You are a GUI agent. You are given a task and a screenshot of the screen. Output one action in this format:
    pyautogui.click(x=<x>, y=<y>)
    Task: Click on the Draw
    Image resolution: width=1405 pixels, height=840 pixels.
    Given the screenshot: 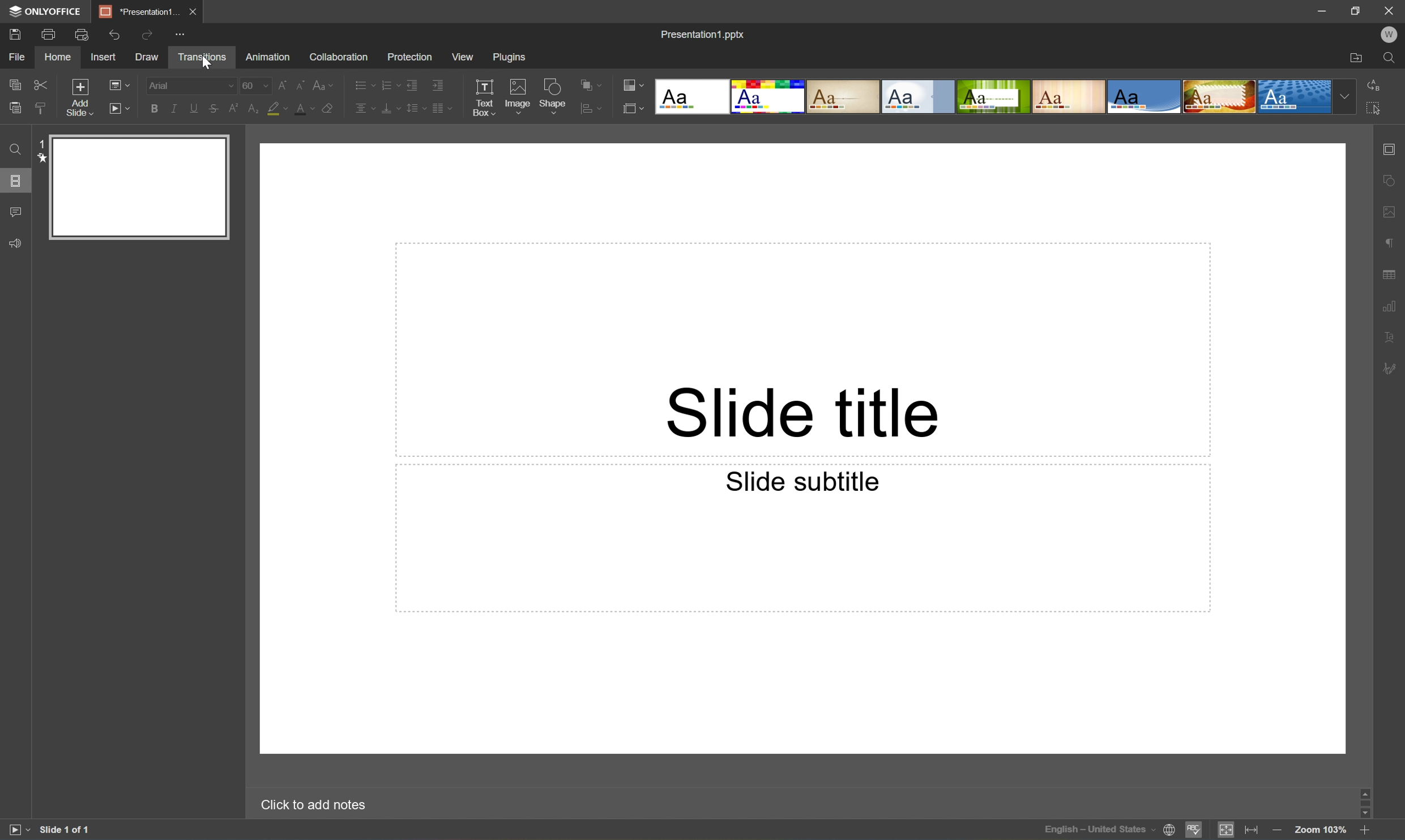 What is the action you would take?
    pyautogui.click(x=148, y=57)
    